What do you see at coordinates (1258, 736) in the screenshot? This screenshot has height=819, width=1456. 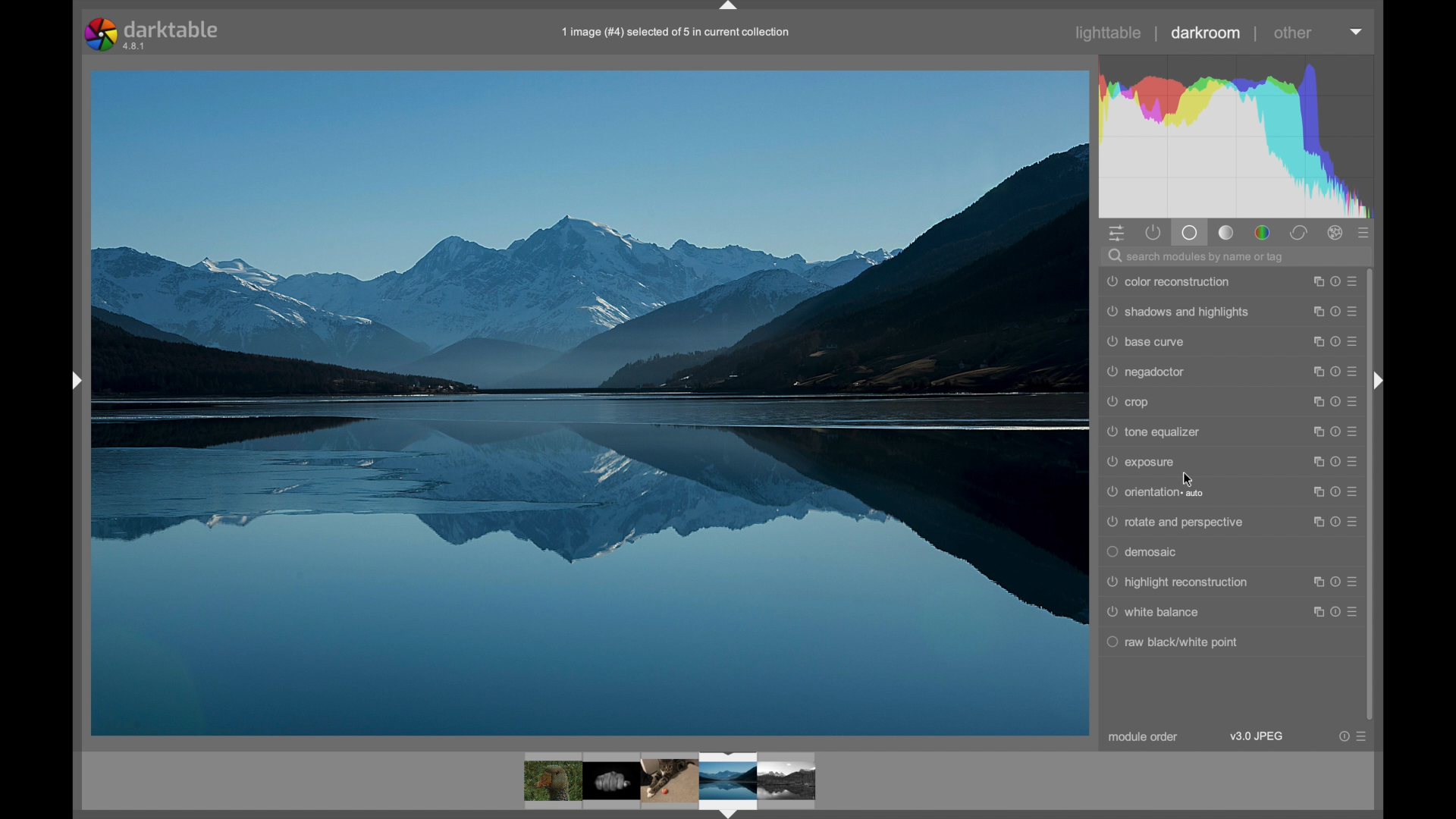 I see `v3.0 jpeg` at bounding box center [1258, 736].